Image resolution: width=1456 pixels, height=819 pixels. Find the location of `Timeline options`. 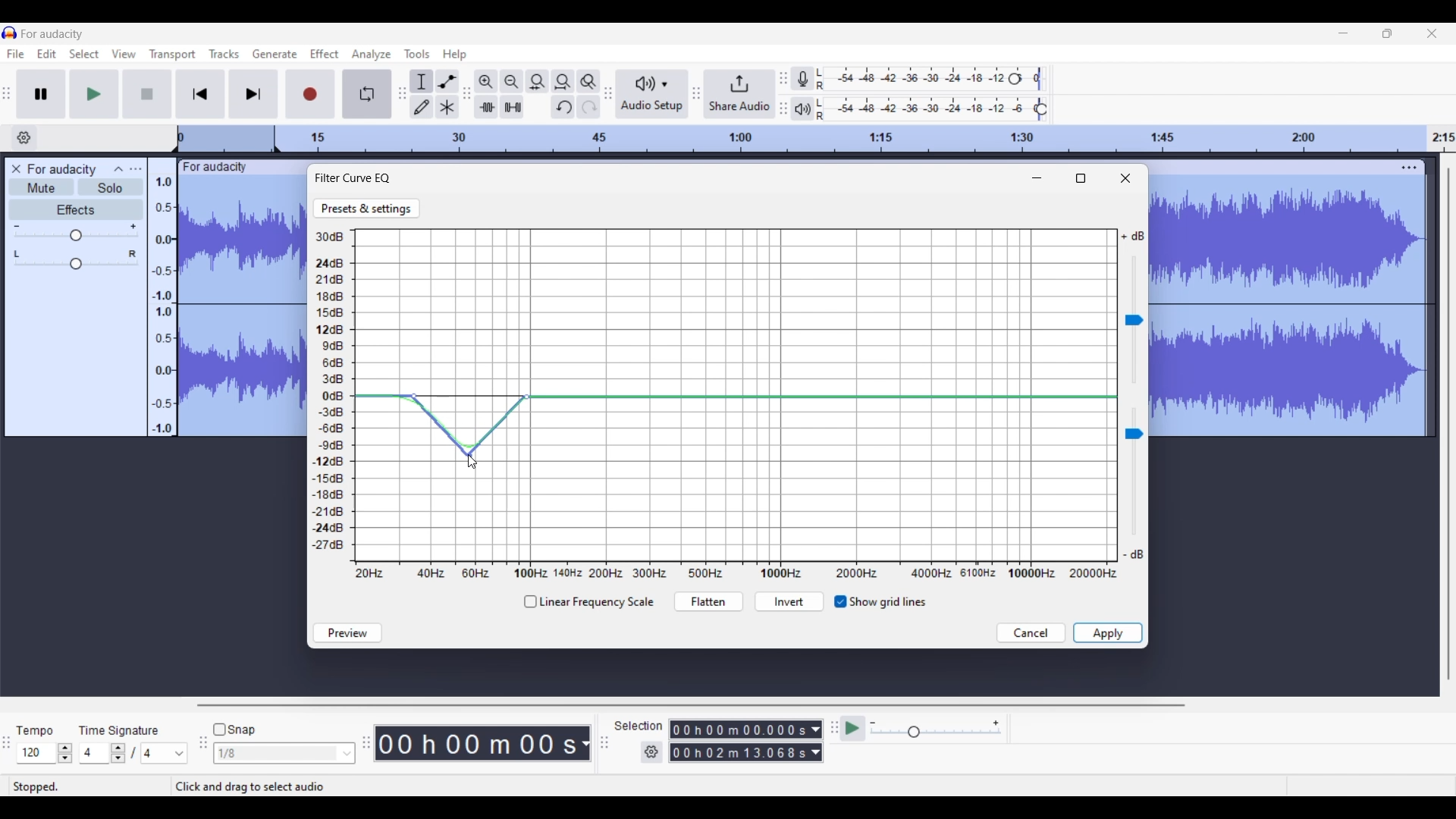

Timeline options is located at coordinates (25, 137).